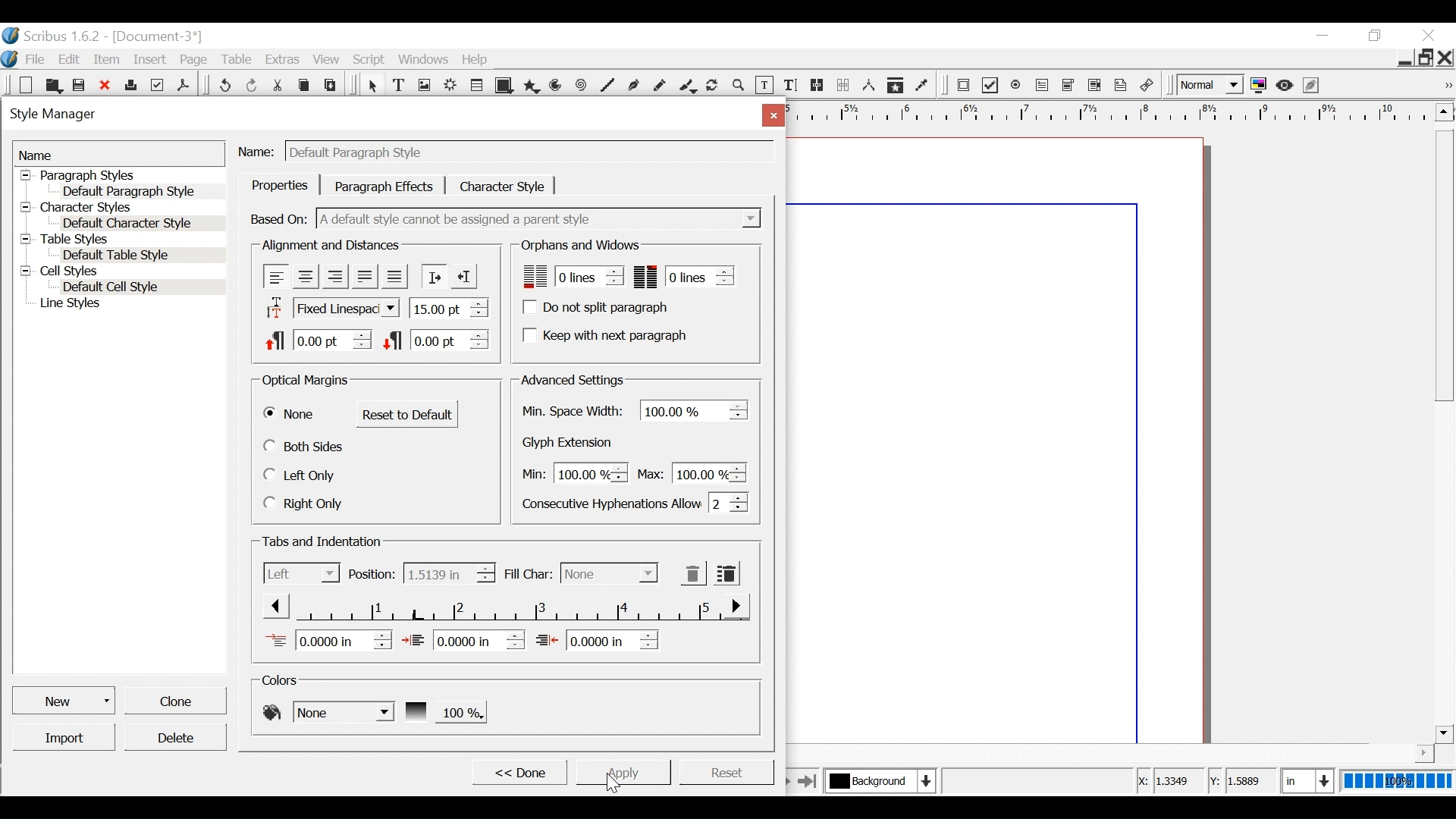  Describe the element at coordinates (331, 246) in the screenshot. I see `Alignment and Distances` at that location.